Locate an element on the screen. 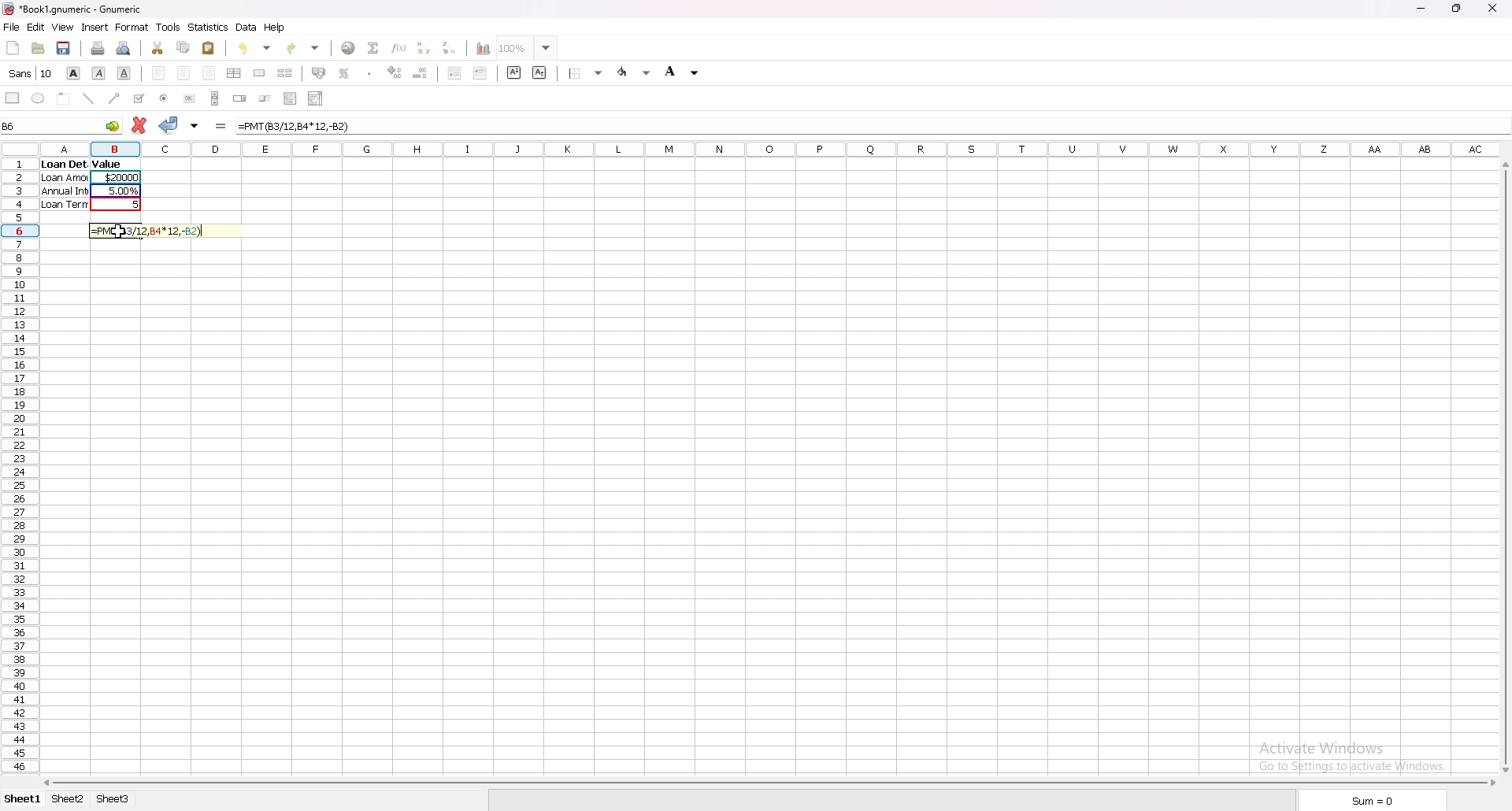 This screenshot has height=811, width=1512. open is located at coordinates (38, 47).